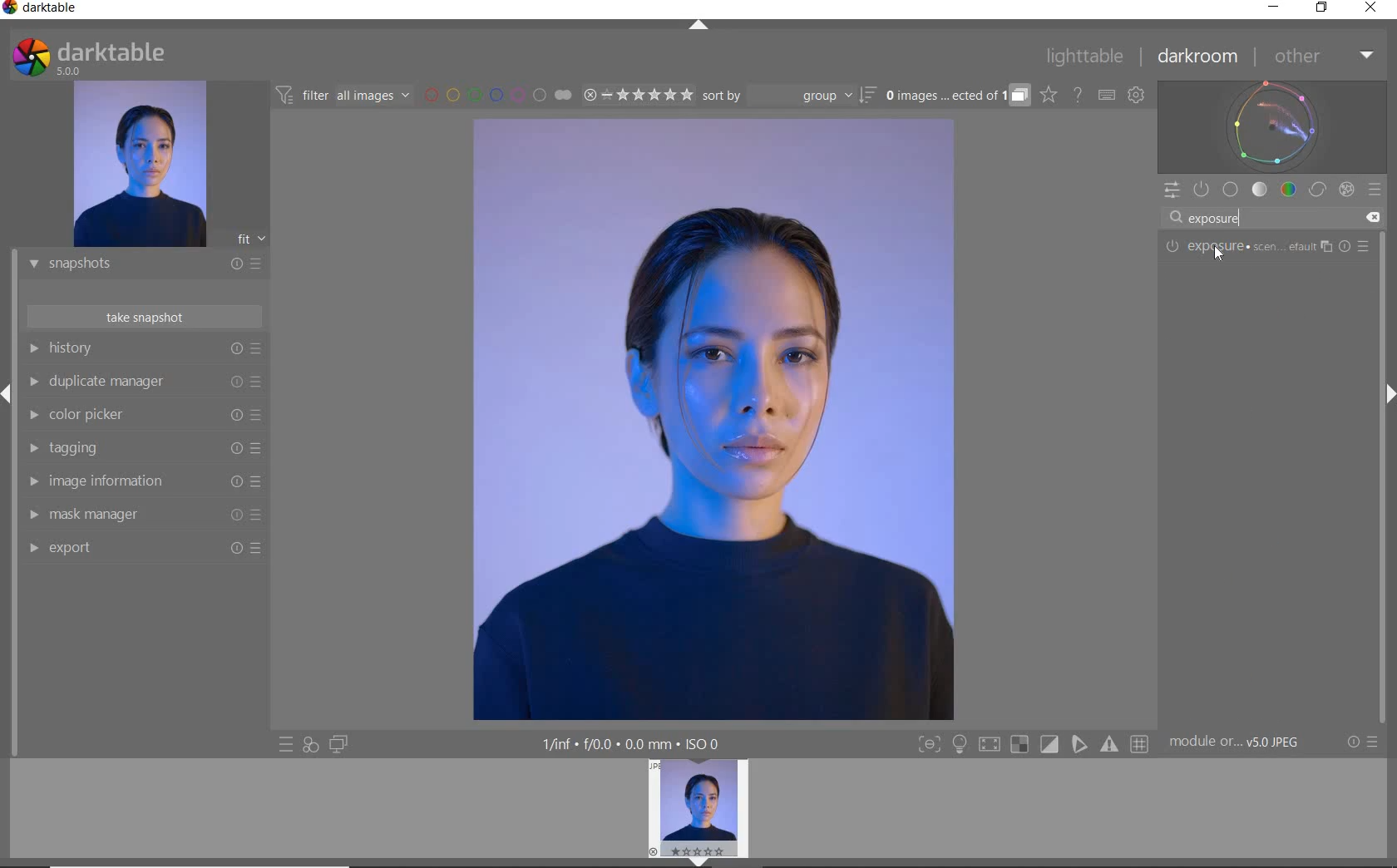 This screenshot has width=1397, height=868. Describe the element at coordinates (1322, 57) in the screenshot. I see `OTHER` at that location.